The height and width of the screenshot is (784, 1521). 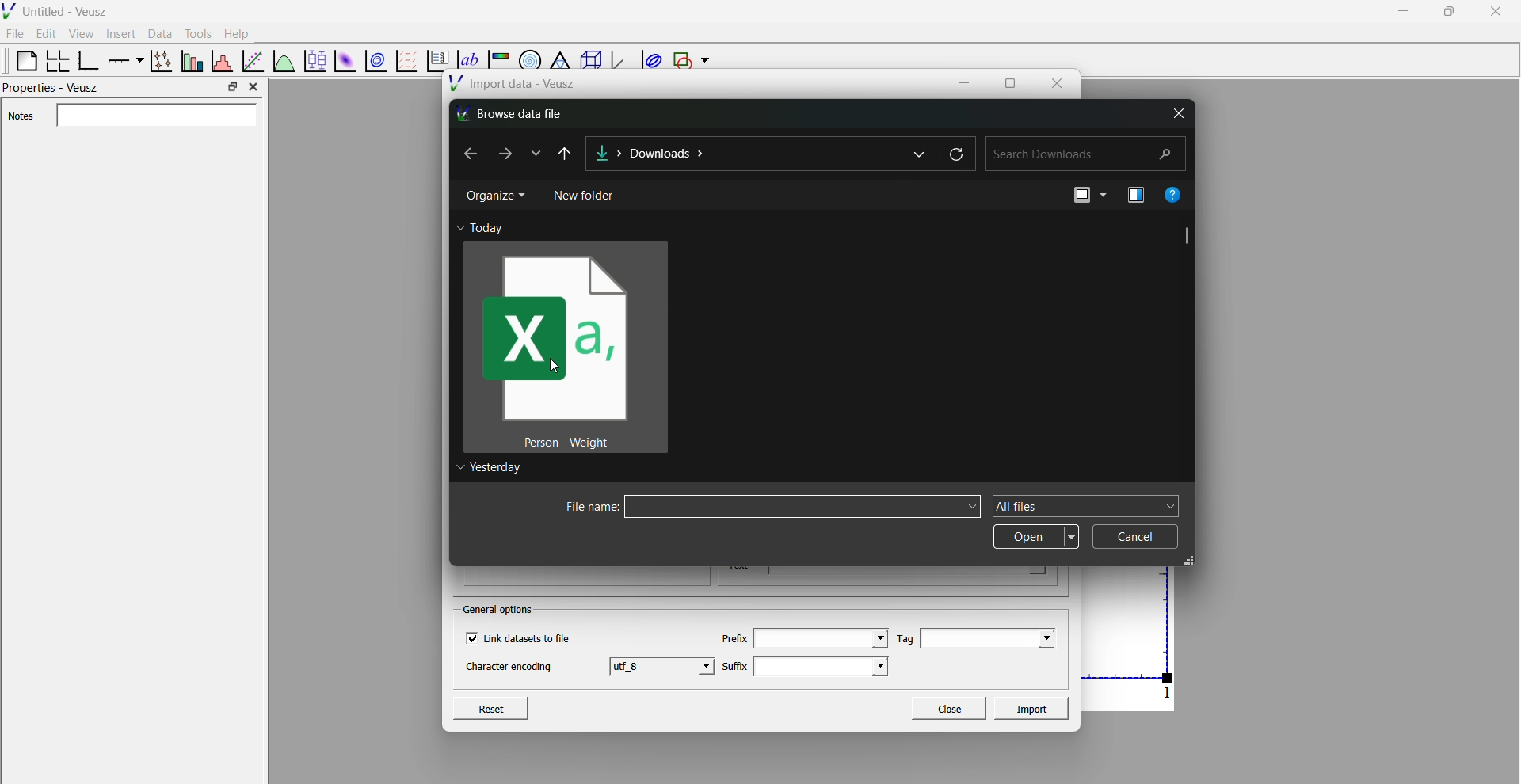 What do you see at coordinates (1139, 537) in the screenshot?
I see `cancel` at bounding box center [1139, 537].